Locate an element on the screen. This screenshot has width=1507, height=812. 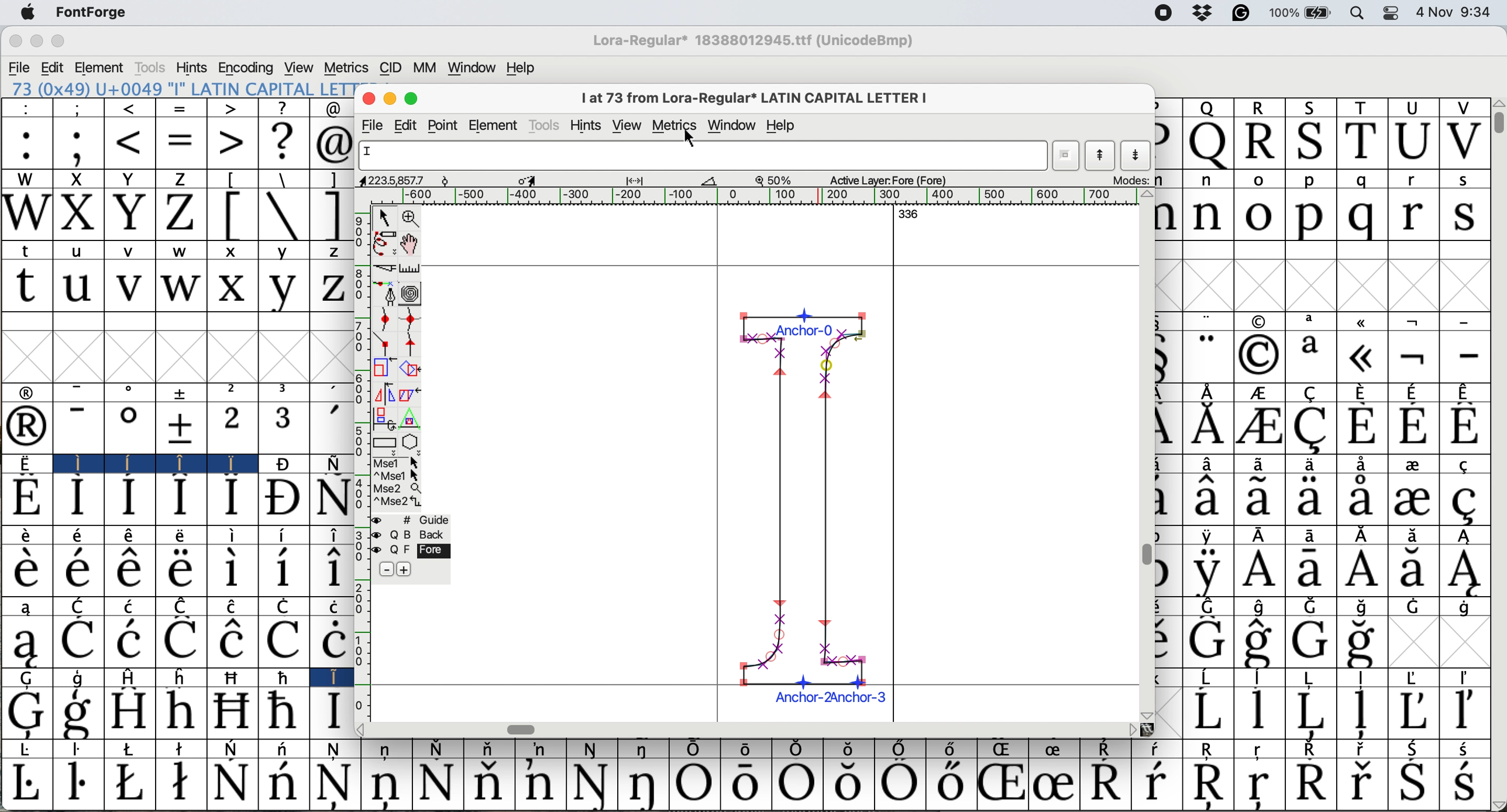
Symbol is located at coordinates (1414, 427).